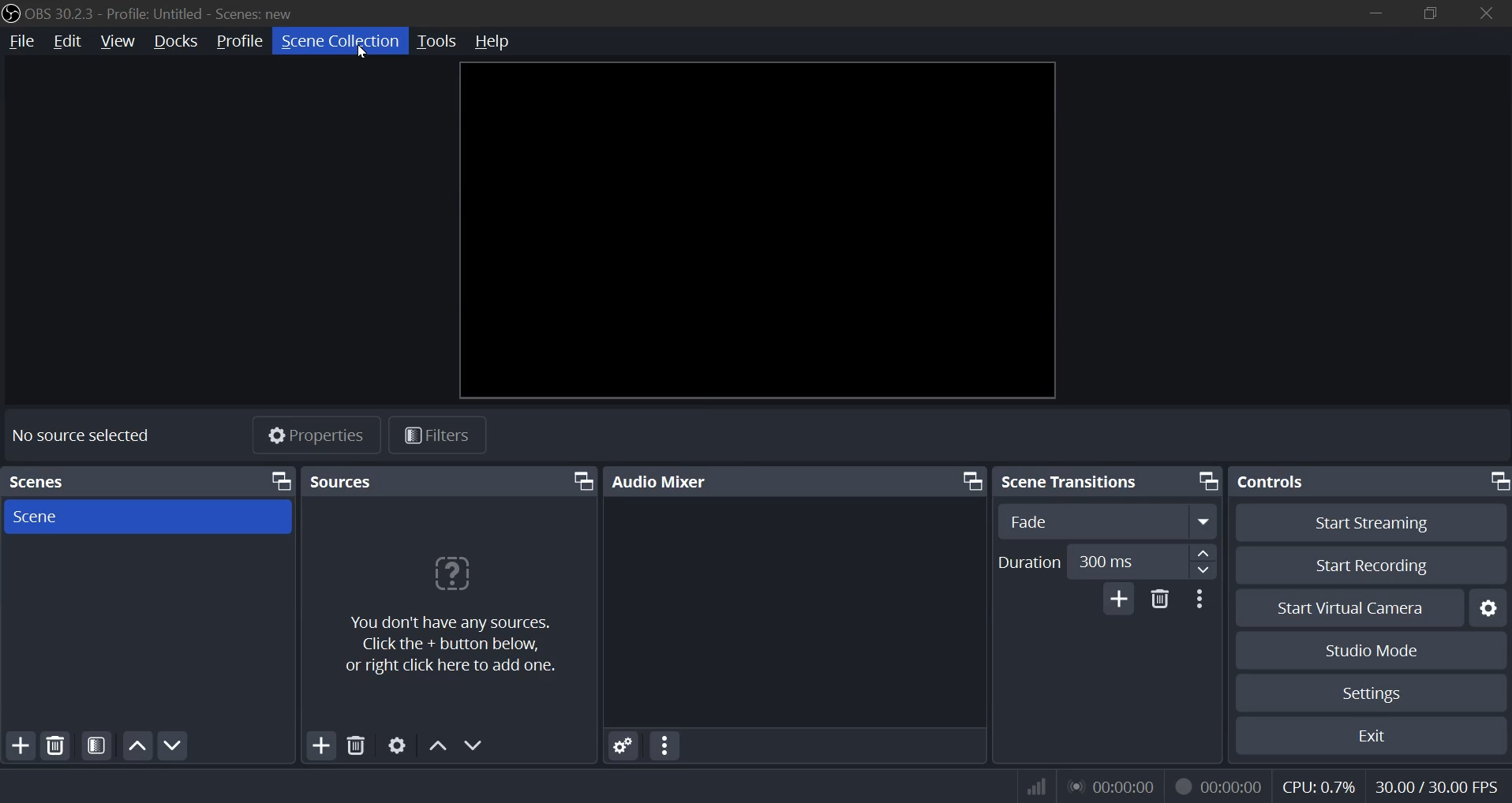  Describe the element at coordinates (56, 744) in the screenshot. I see `delete source` at that location.